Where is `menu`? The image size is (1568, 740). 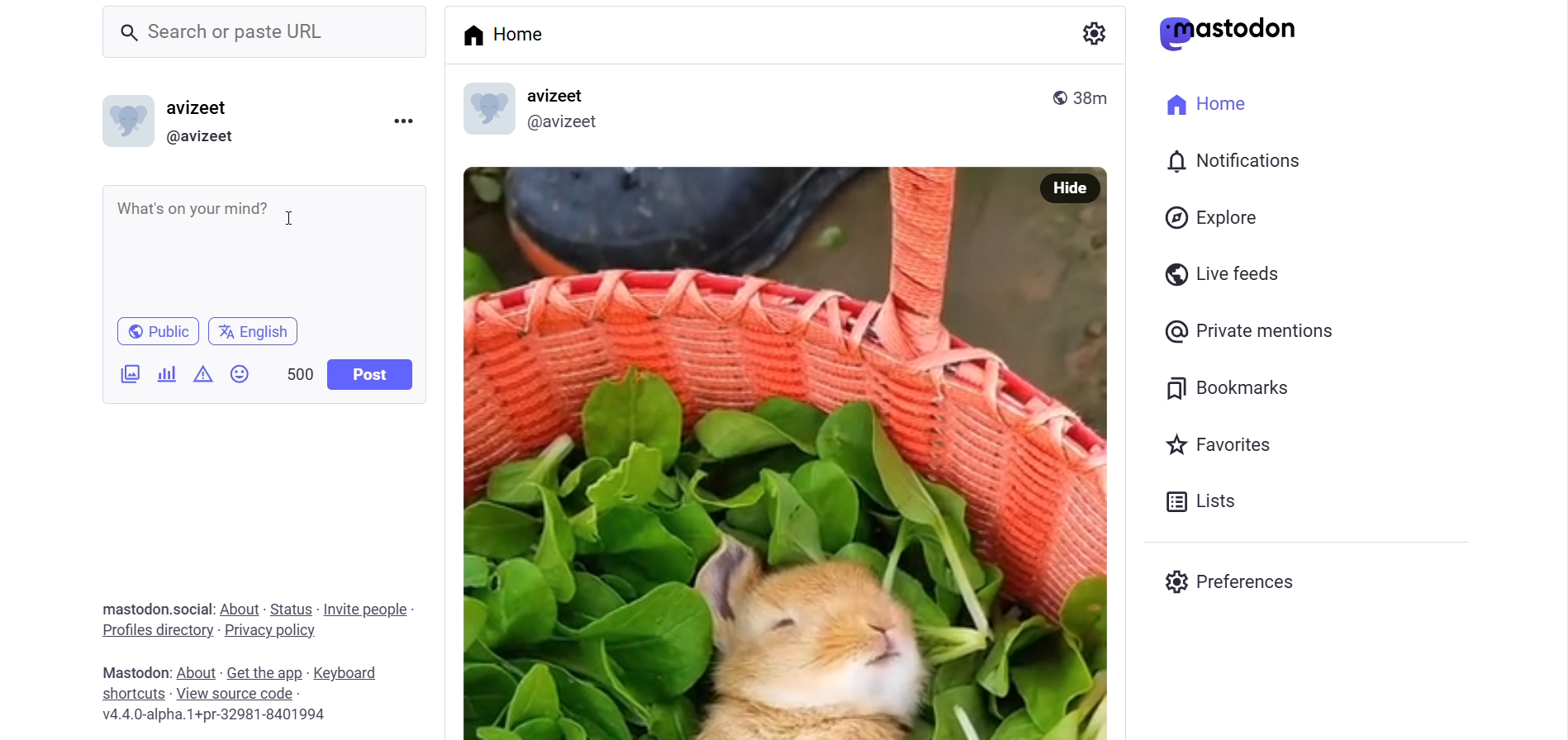
menu is located at coordinates (402, 122).